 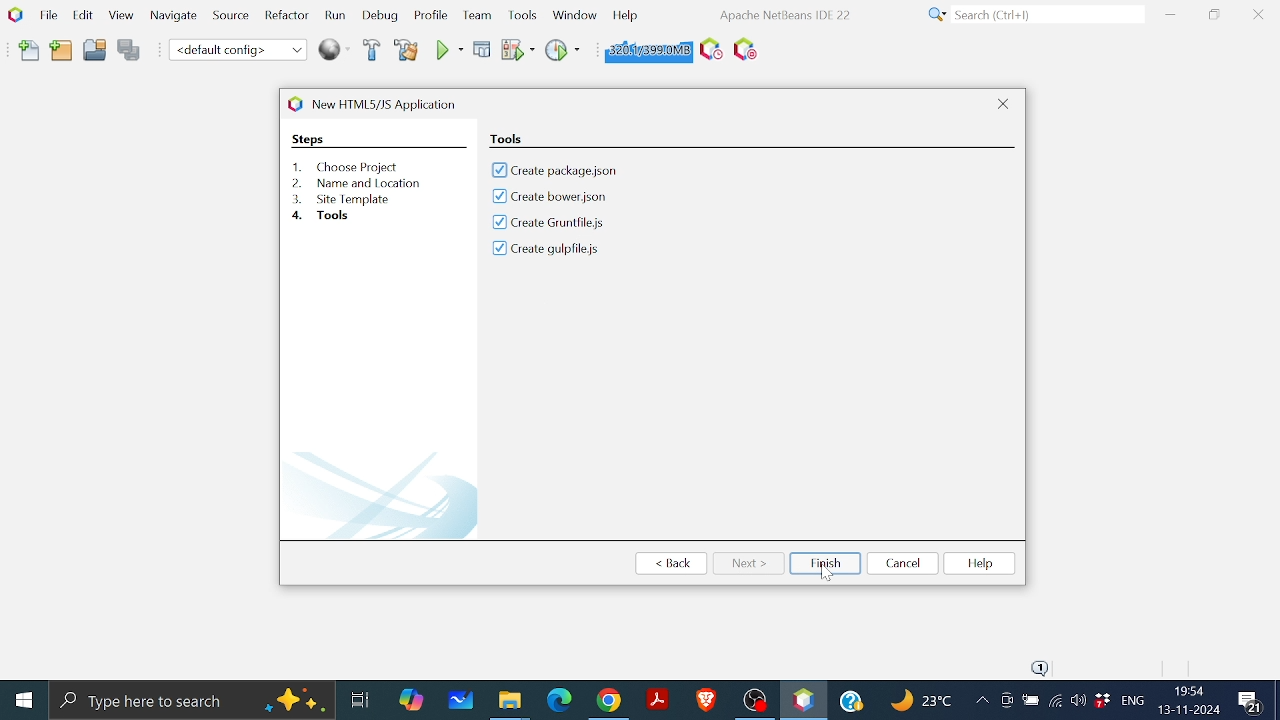 What do you see at coordinates (1030, 701) in the screenshot?
I see `Bettery` at bounding box center [1030, 701].